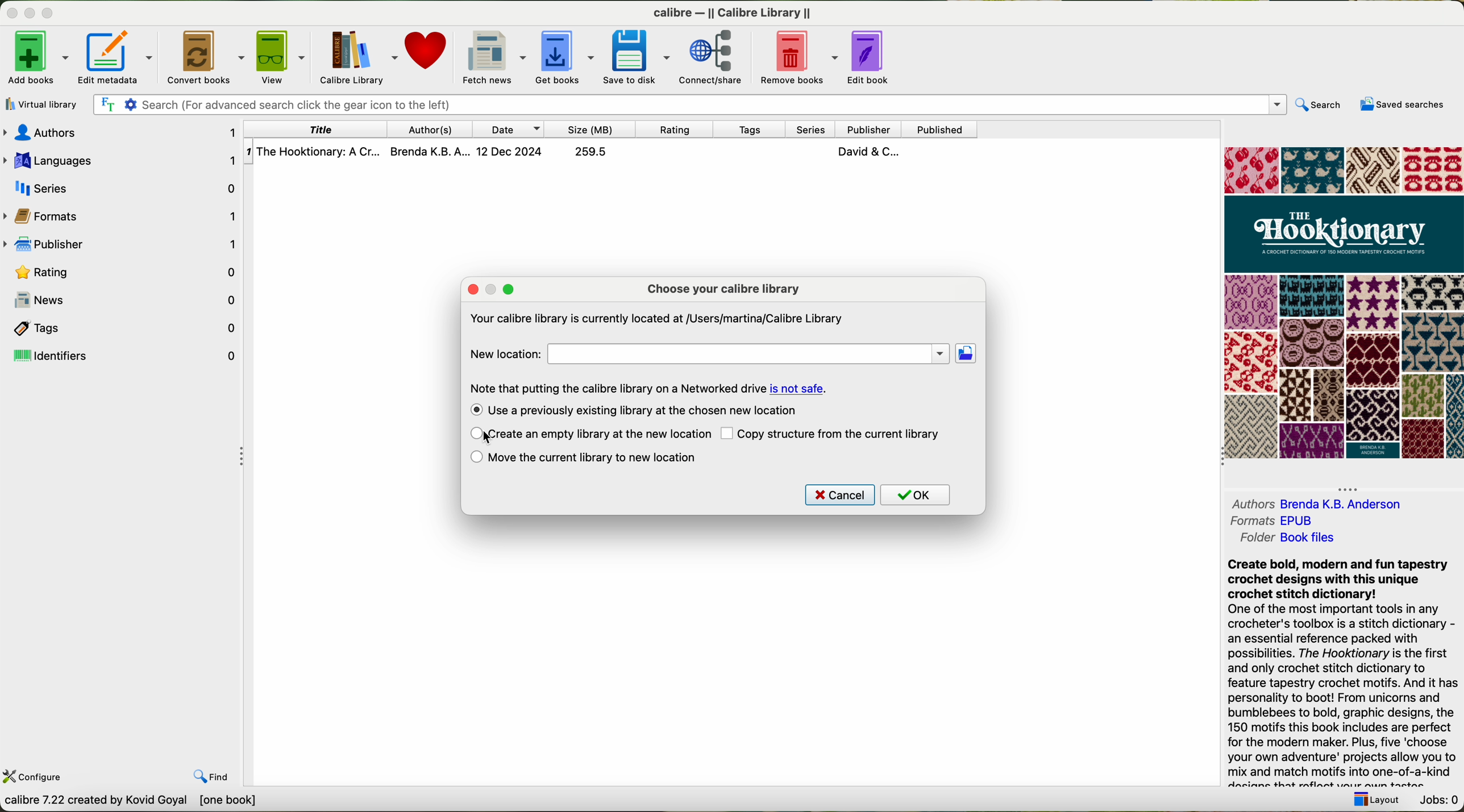  What do you see at coordinates (513, 128) in the screenshot?
I see `date` at bounding box center [513, 128].